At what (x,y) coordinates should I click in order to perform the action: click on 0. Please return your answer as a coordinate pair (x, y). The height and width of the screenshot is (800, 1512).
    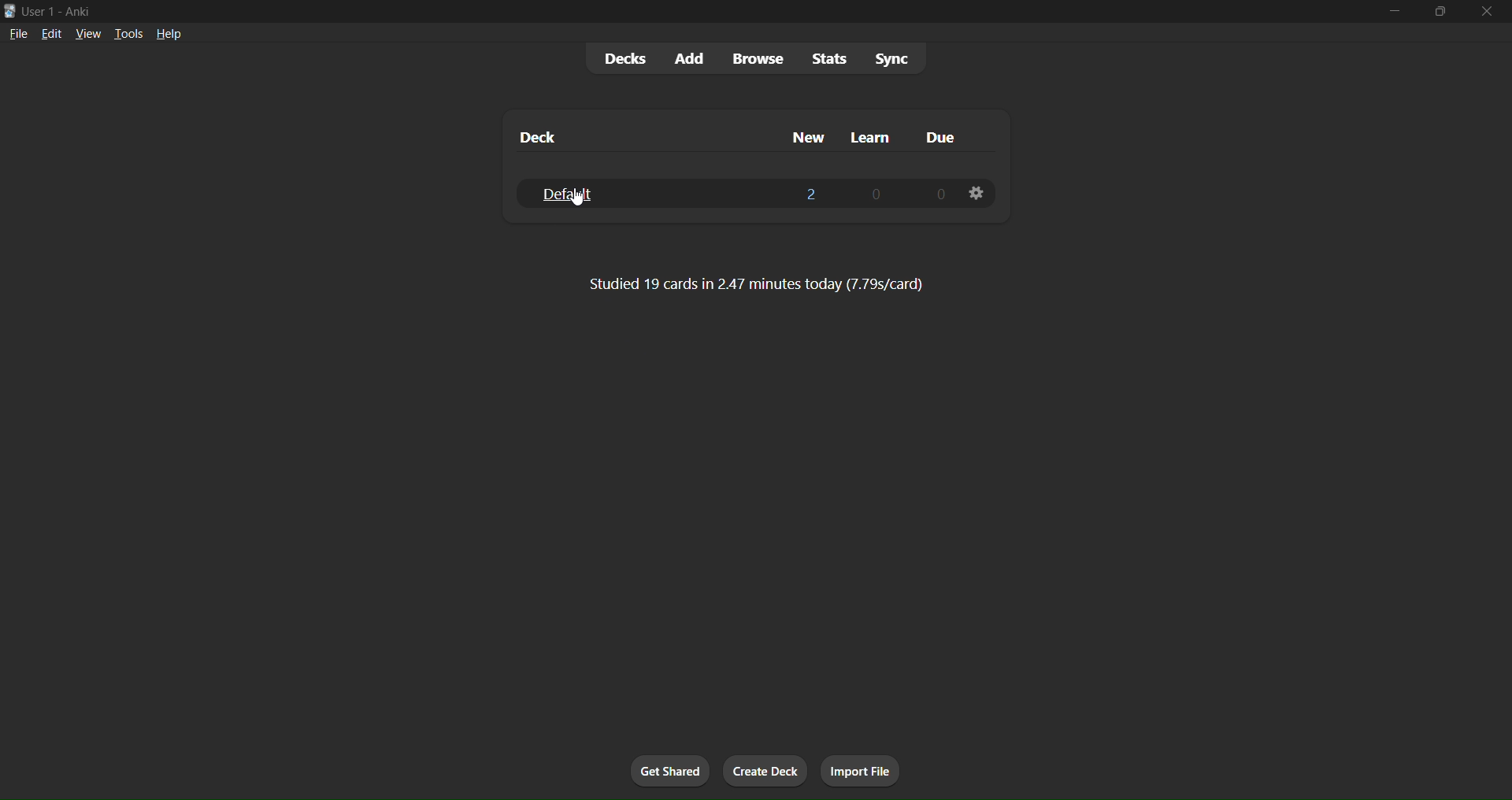
    Looking at the image, I should click on (874, 193).